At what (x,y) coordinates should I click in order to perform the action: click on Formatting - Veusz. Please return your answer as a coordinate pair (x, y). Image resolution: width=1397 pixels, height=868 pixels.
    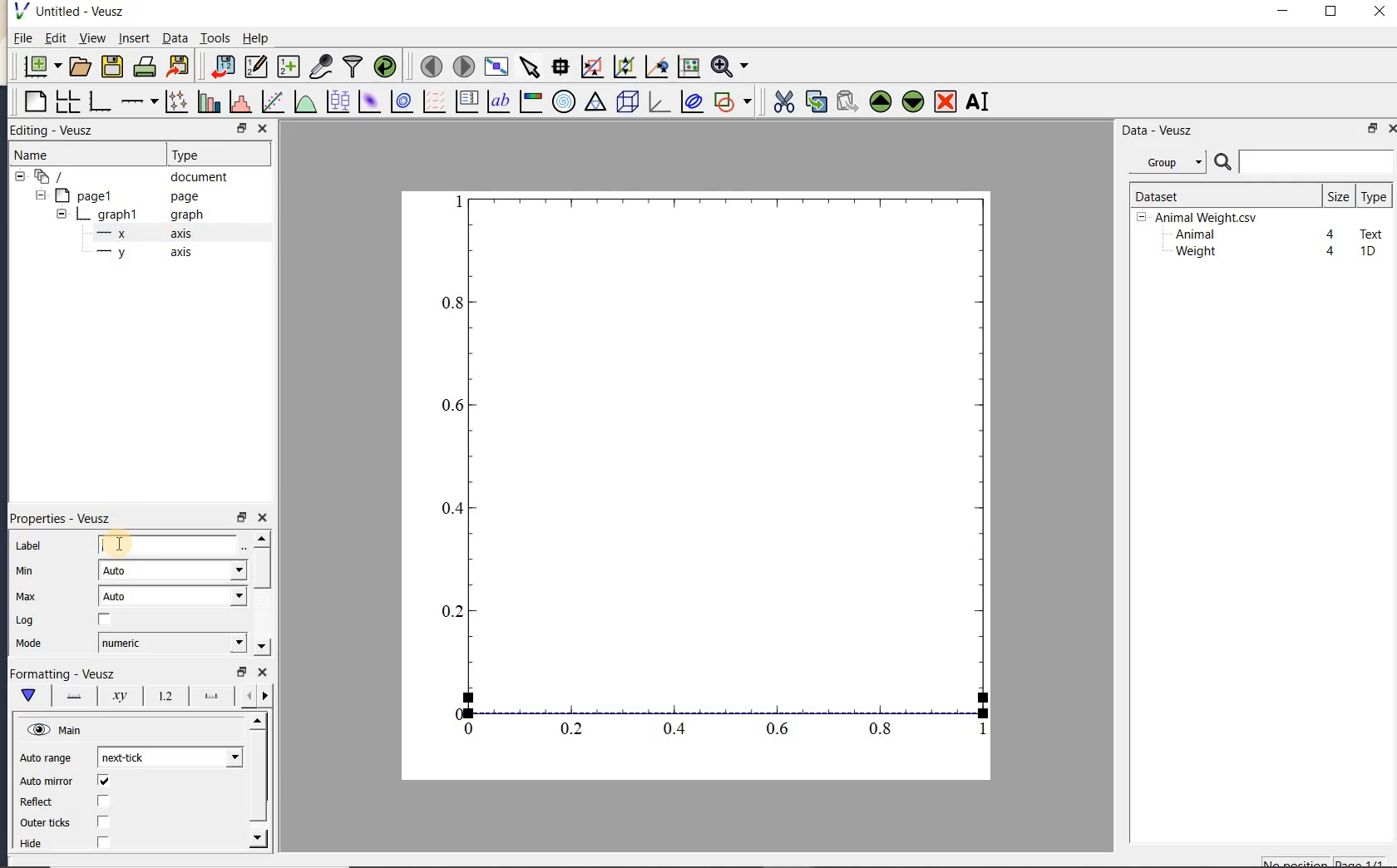
    Looking at the image, I should click on (62, 674).